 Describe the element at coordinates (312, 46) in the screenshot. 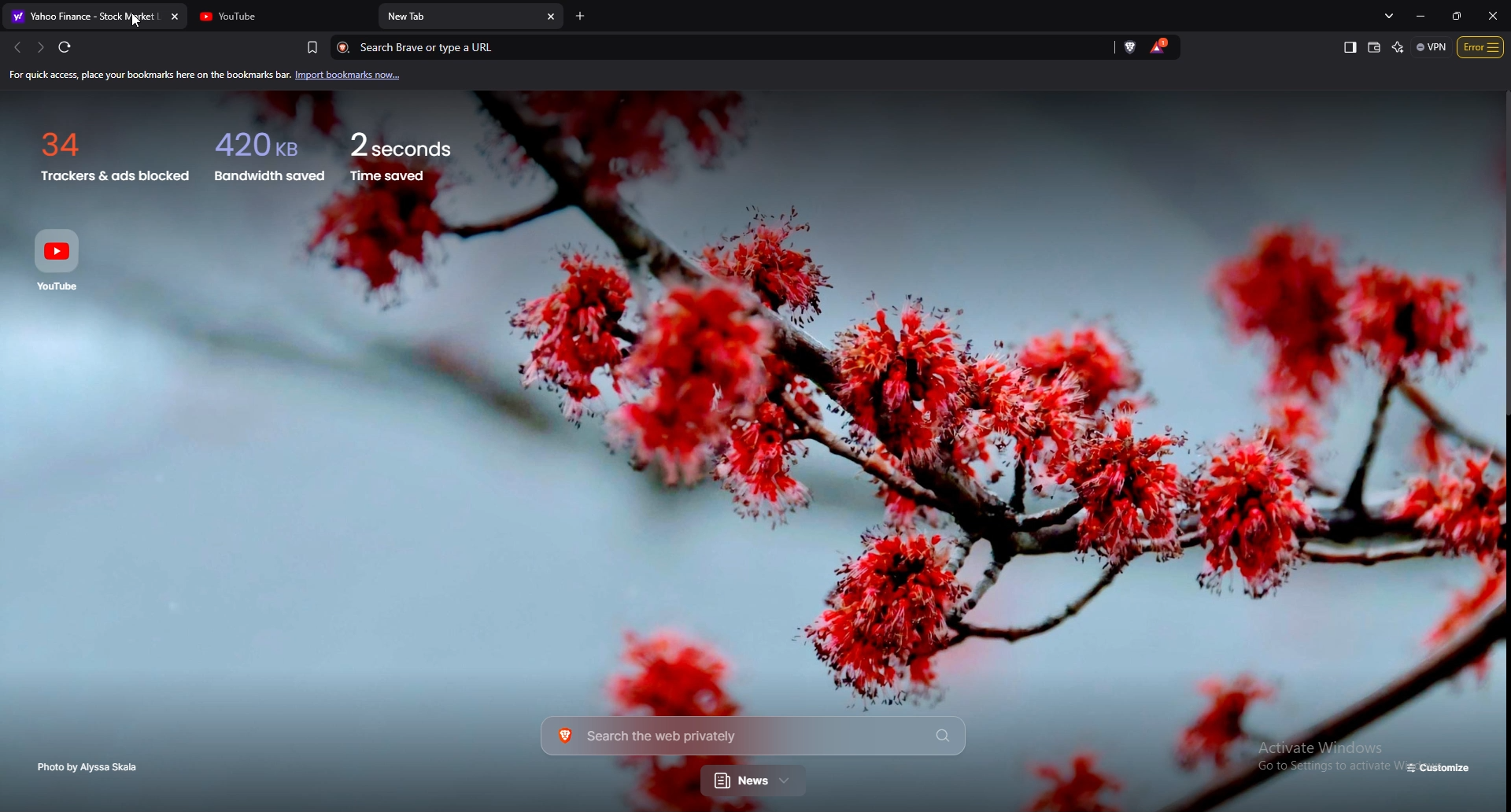

I see `bookmark this tab` at that location.